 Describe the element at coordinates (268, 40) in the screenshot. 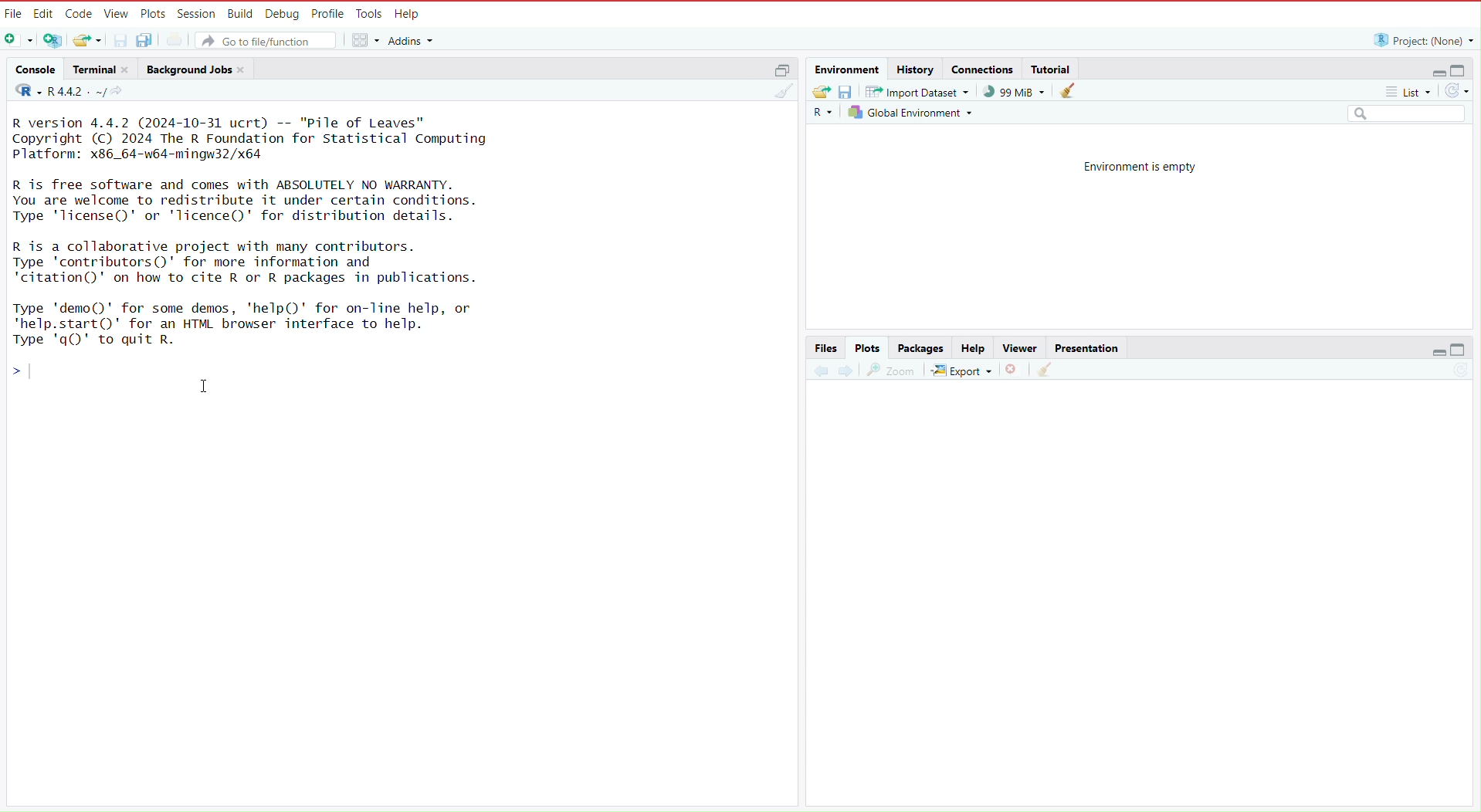

I see `go to file/function` at that location.